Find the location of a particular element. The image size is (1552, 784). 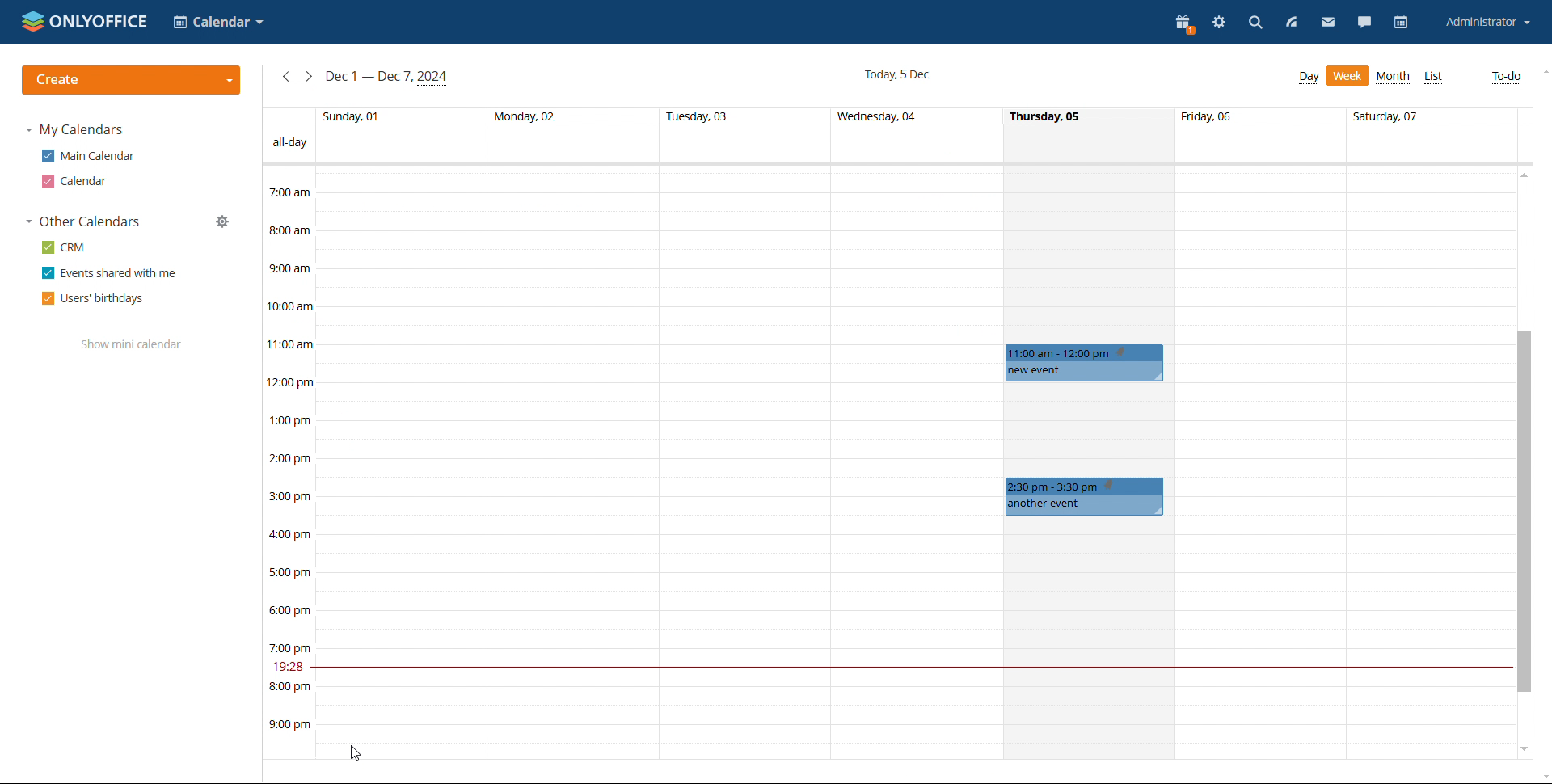

friday, 06 is located at coordinates (1207, 116).